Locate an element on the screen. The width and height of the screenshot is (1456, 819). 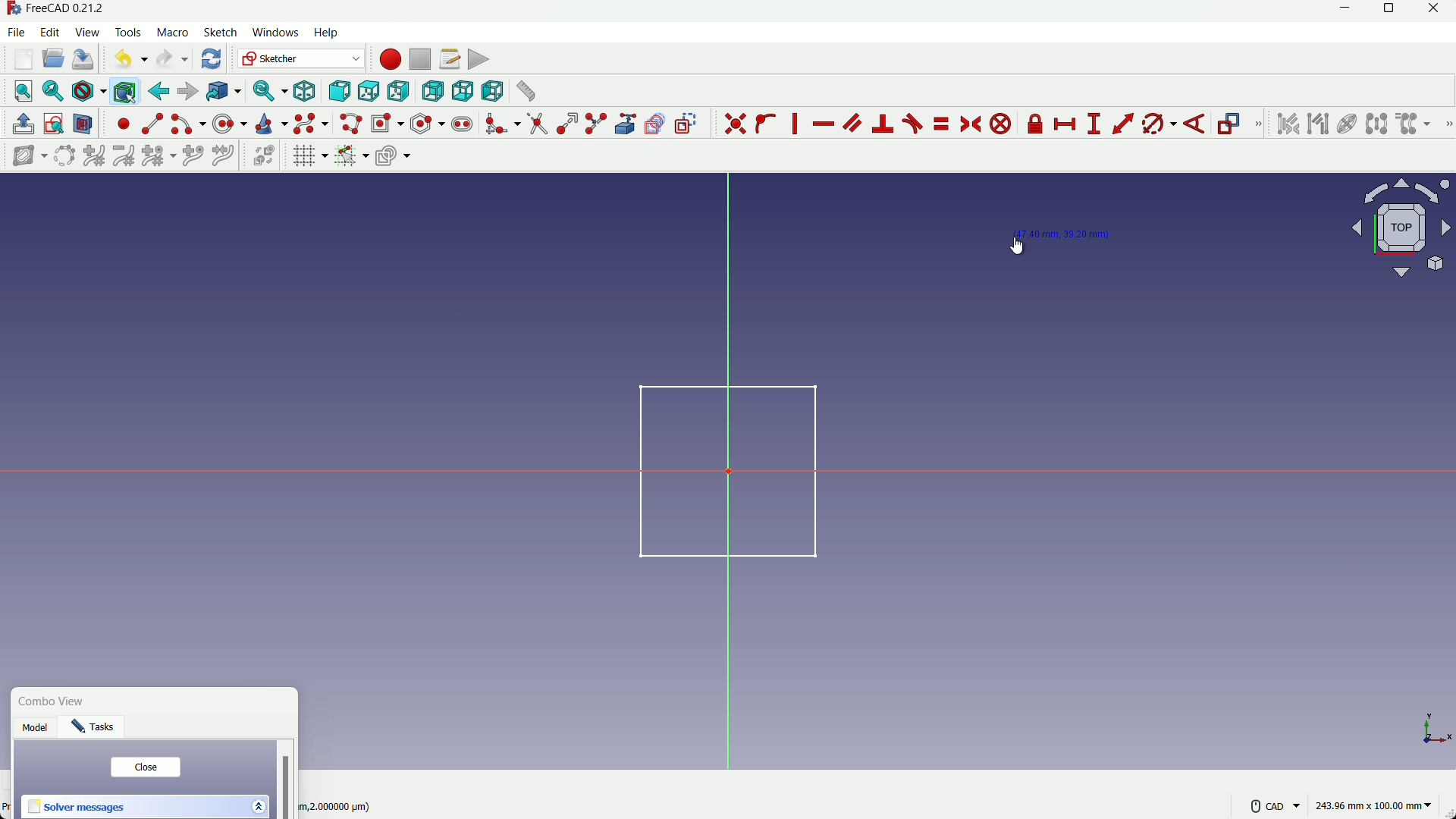
constraint vertical distance is located at coordinates (1094, 124).